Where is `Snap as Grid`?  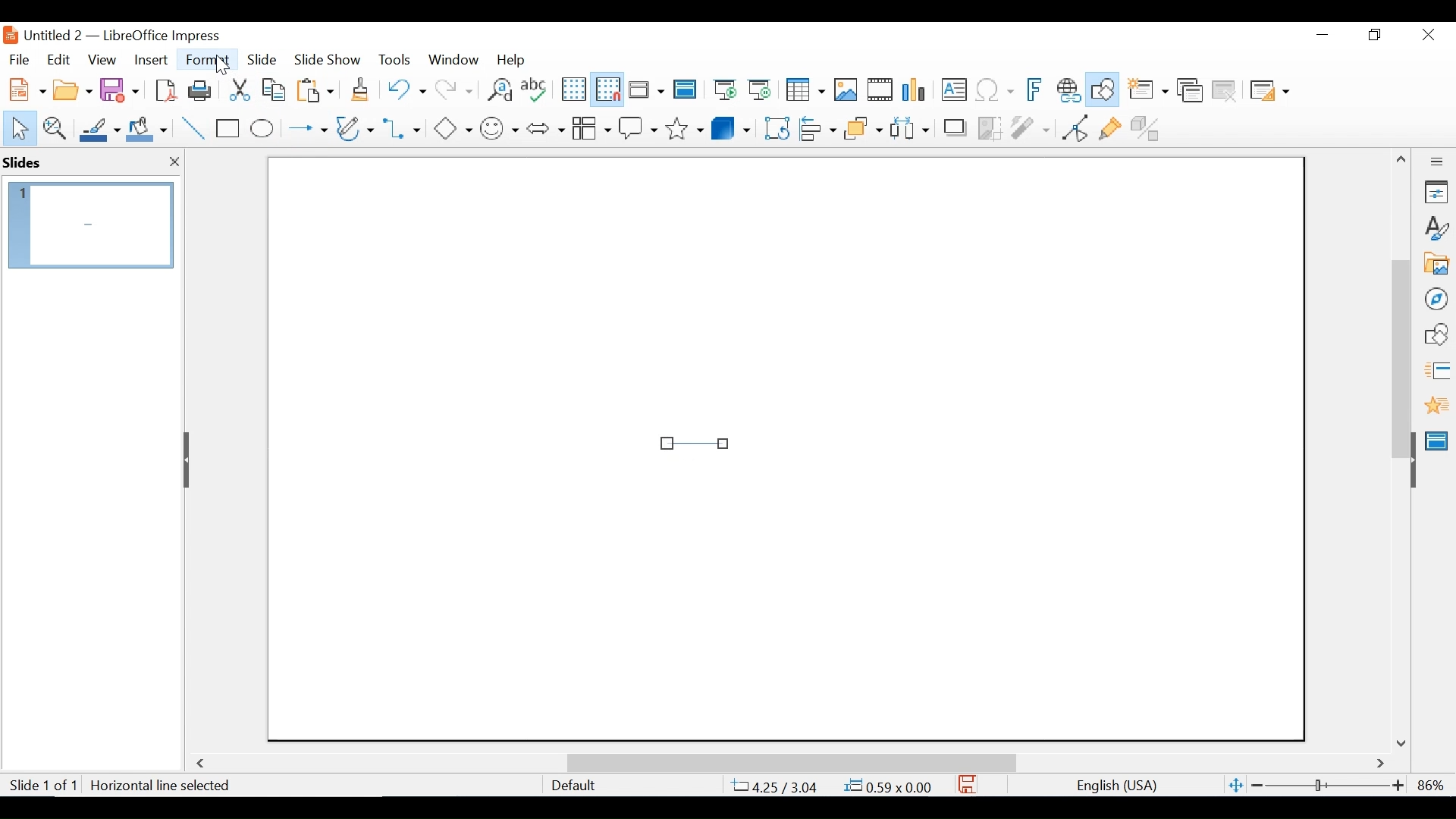 Snap as Grid is located at coordinates (607, 89).